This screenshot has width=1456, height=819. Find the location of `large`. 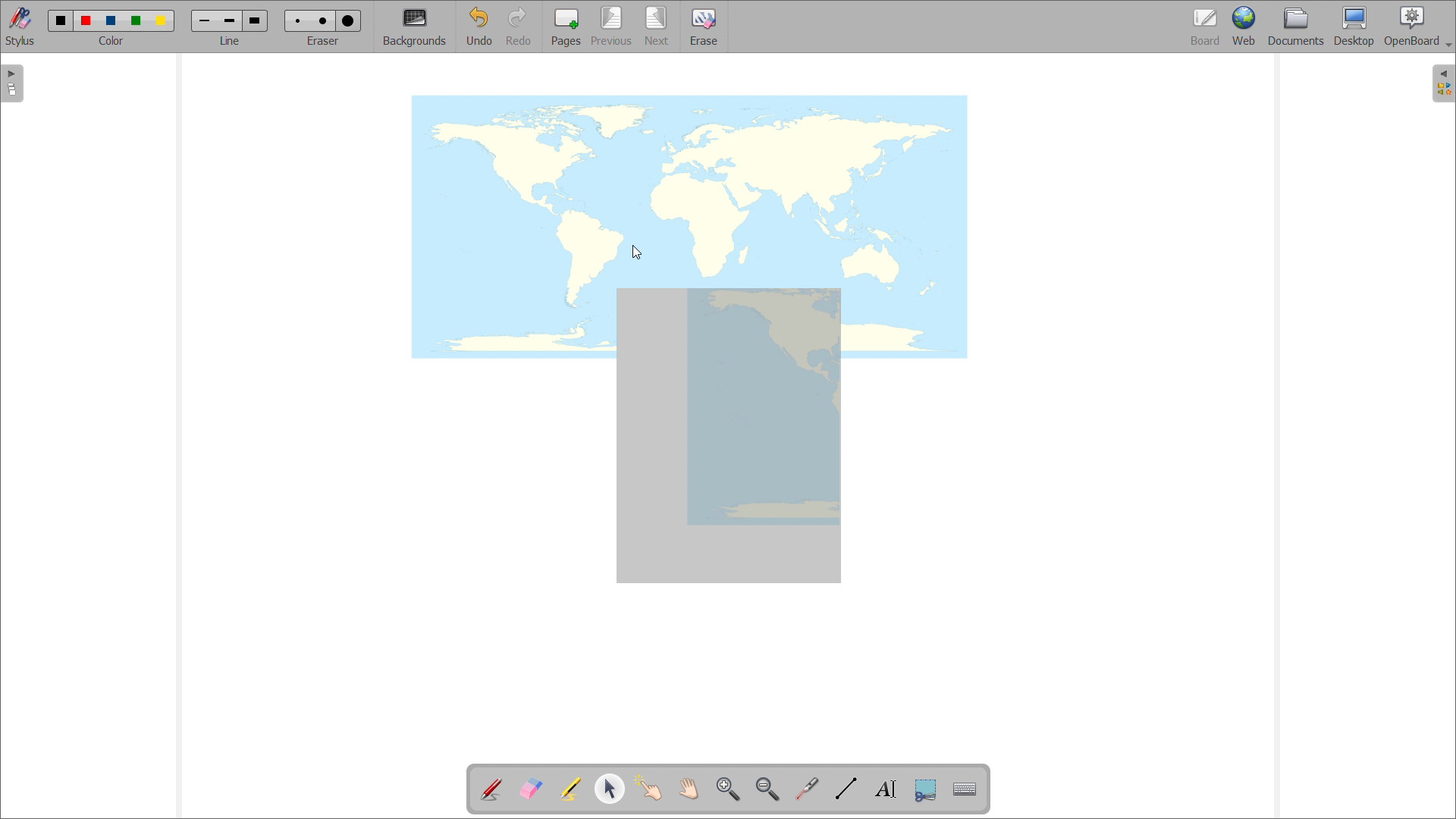

large is located at coordinates (254, 20).